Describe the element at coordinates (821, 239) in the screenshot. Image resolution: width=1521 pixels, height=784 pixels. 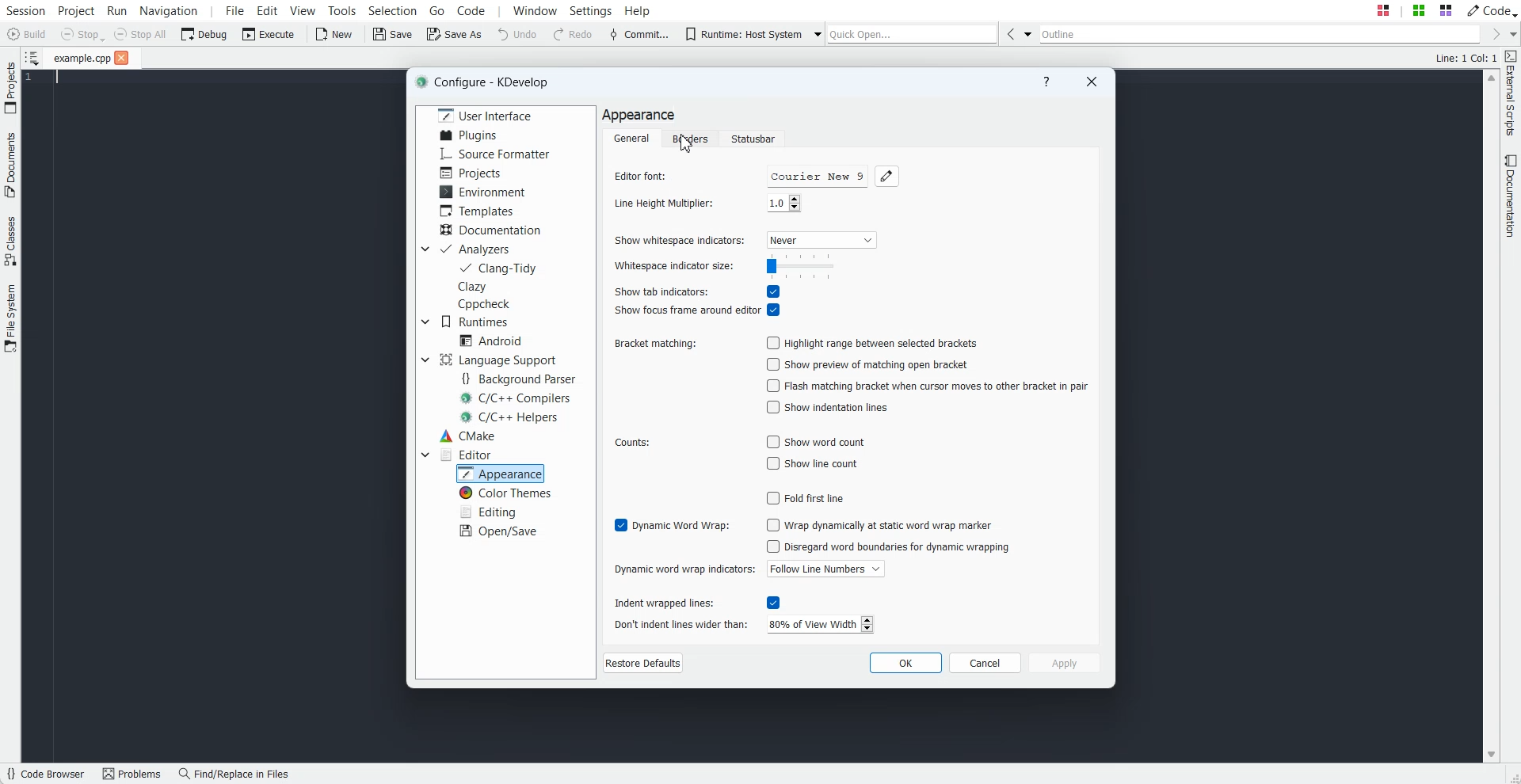
I see `Never` at that location.